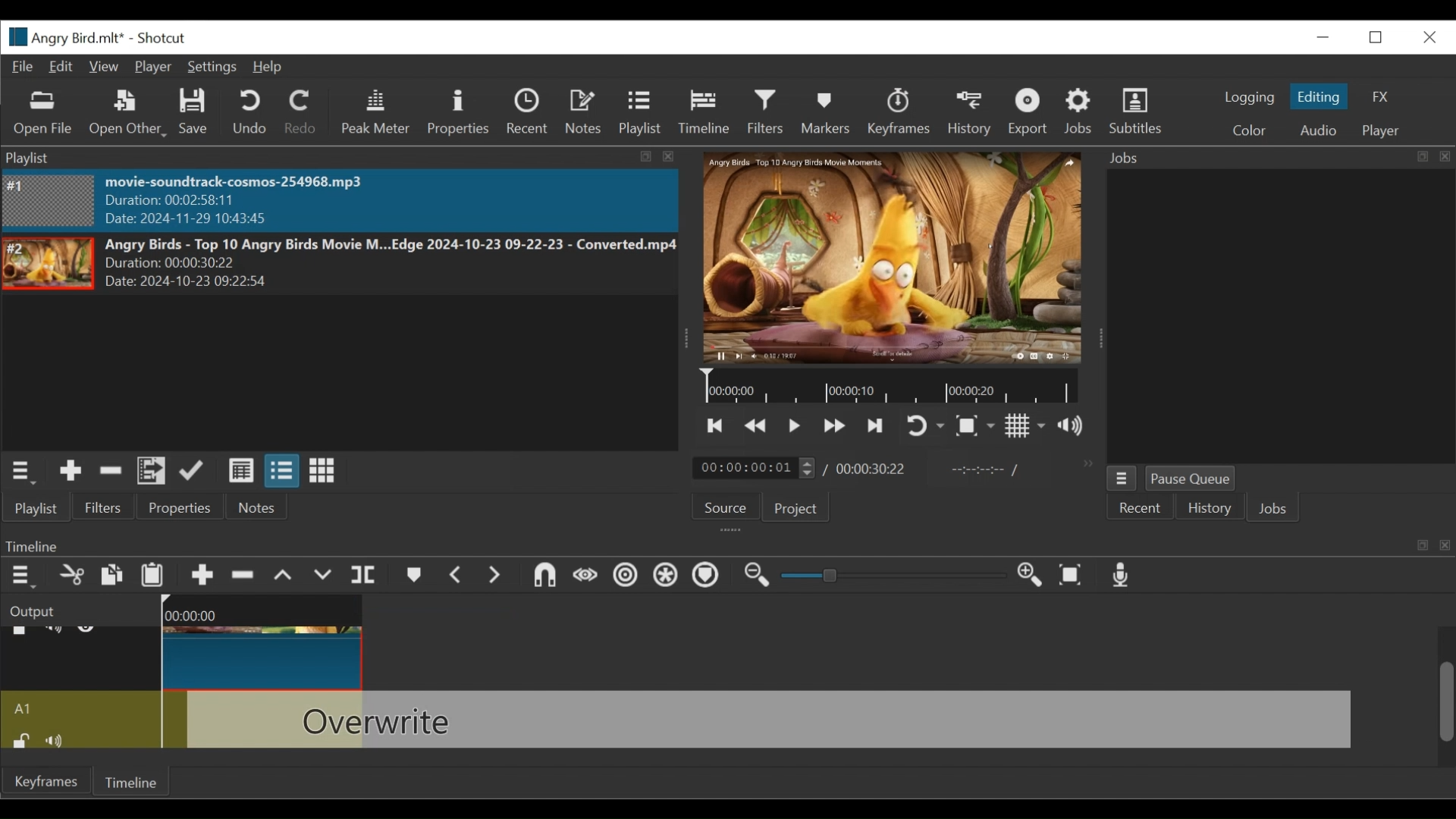 This screenshot has height=819, width=1456. I want to click on Peak Meter, so click(375, 114).